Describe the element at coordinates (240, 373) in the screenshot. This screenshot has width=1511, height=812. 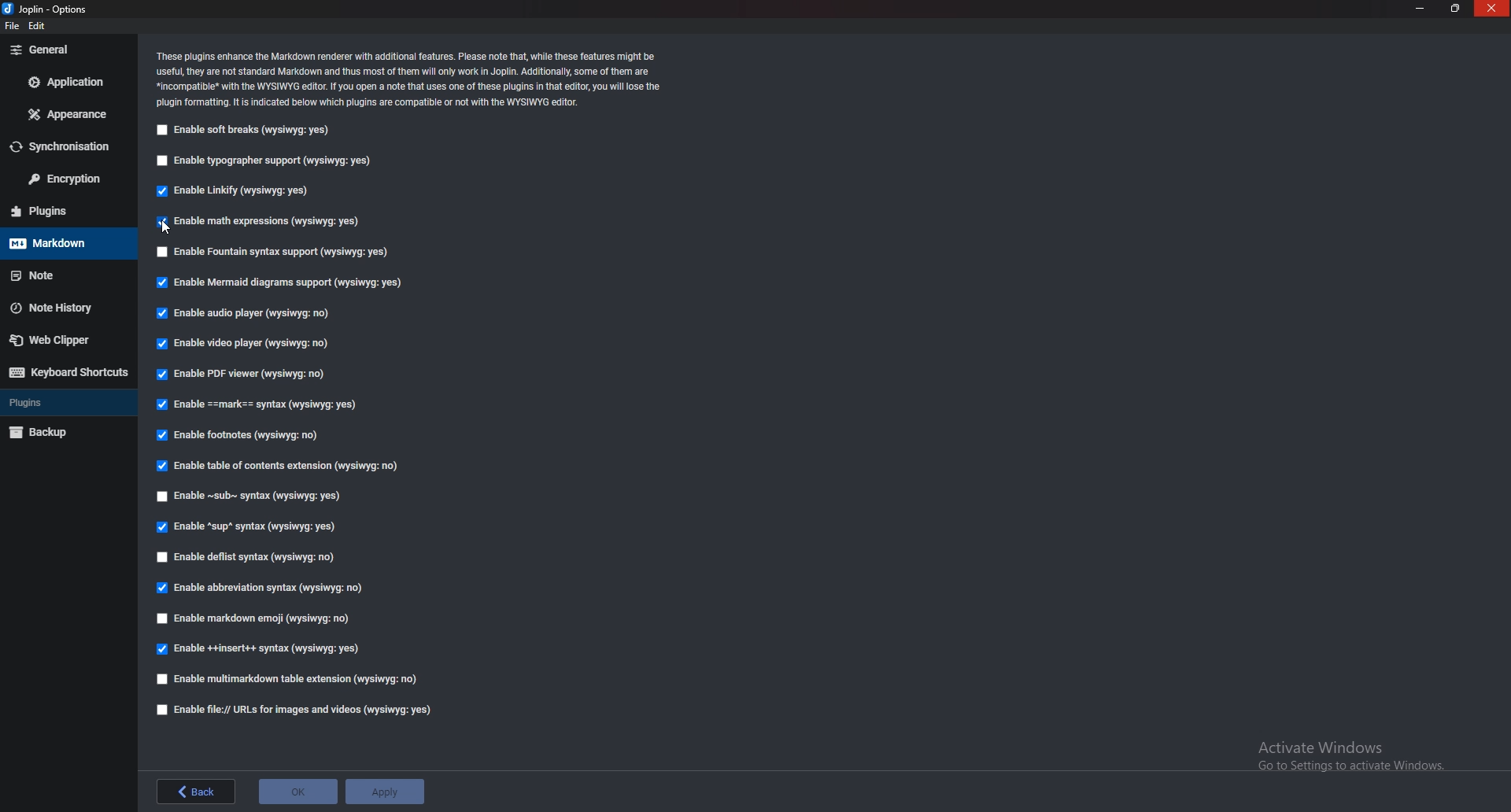
I see `Enable P D F viewer` at that location.